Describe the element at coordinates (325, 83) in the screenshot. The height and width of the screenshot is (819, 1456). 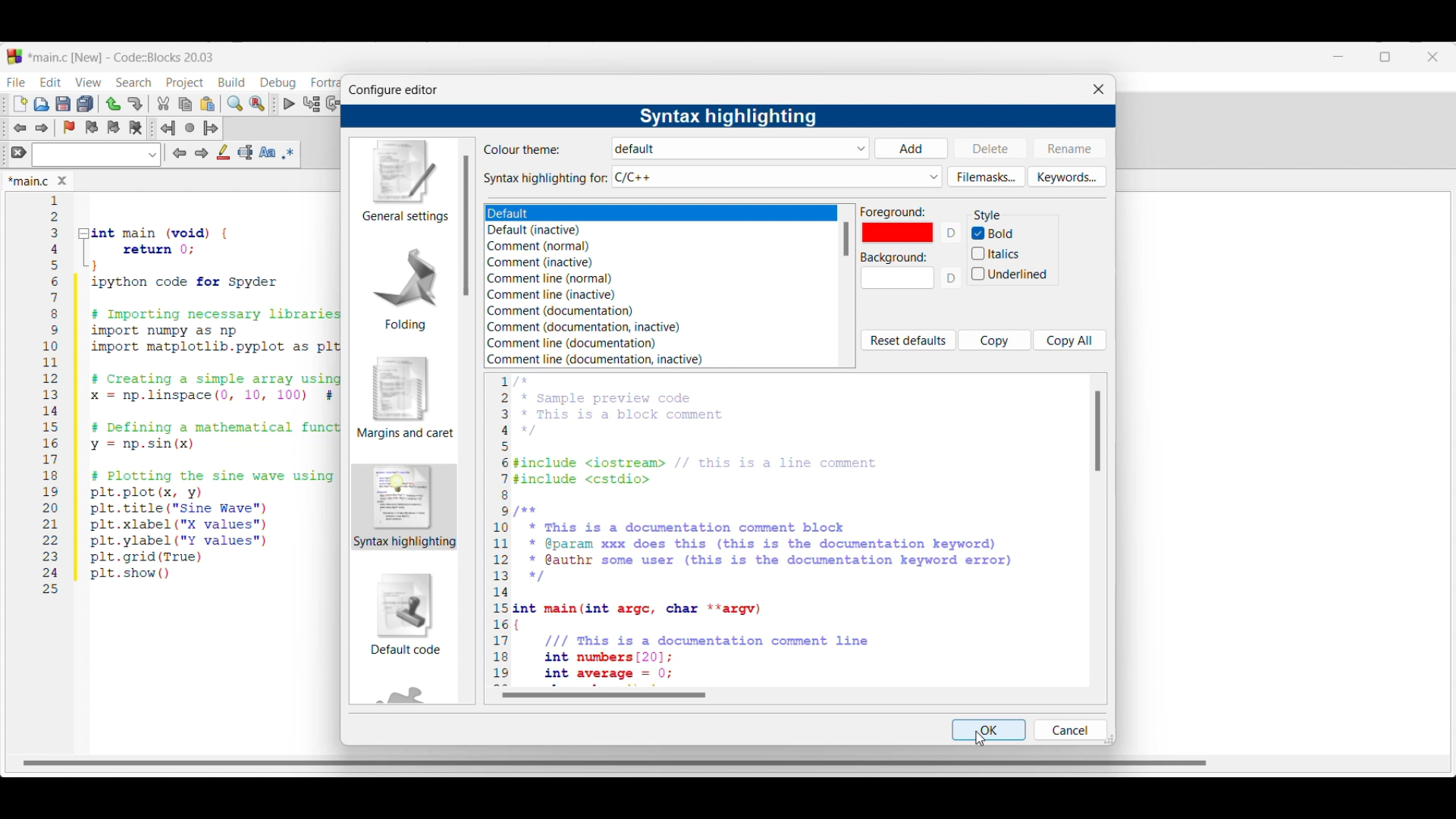
I see `Fortran menu ` at that location.